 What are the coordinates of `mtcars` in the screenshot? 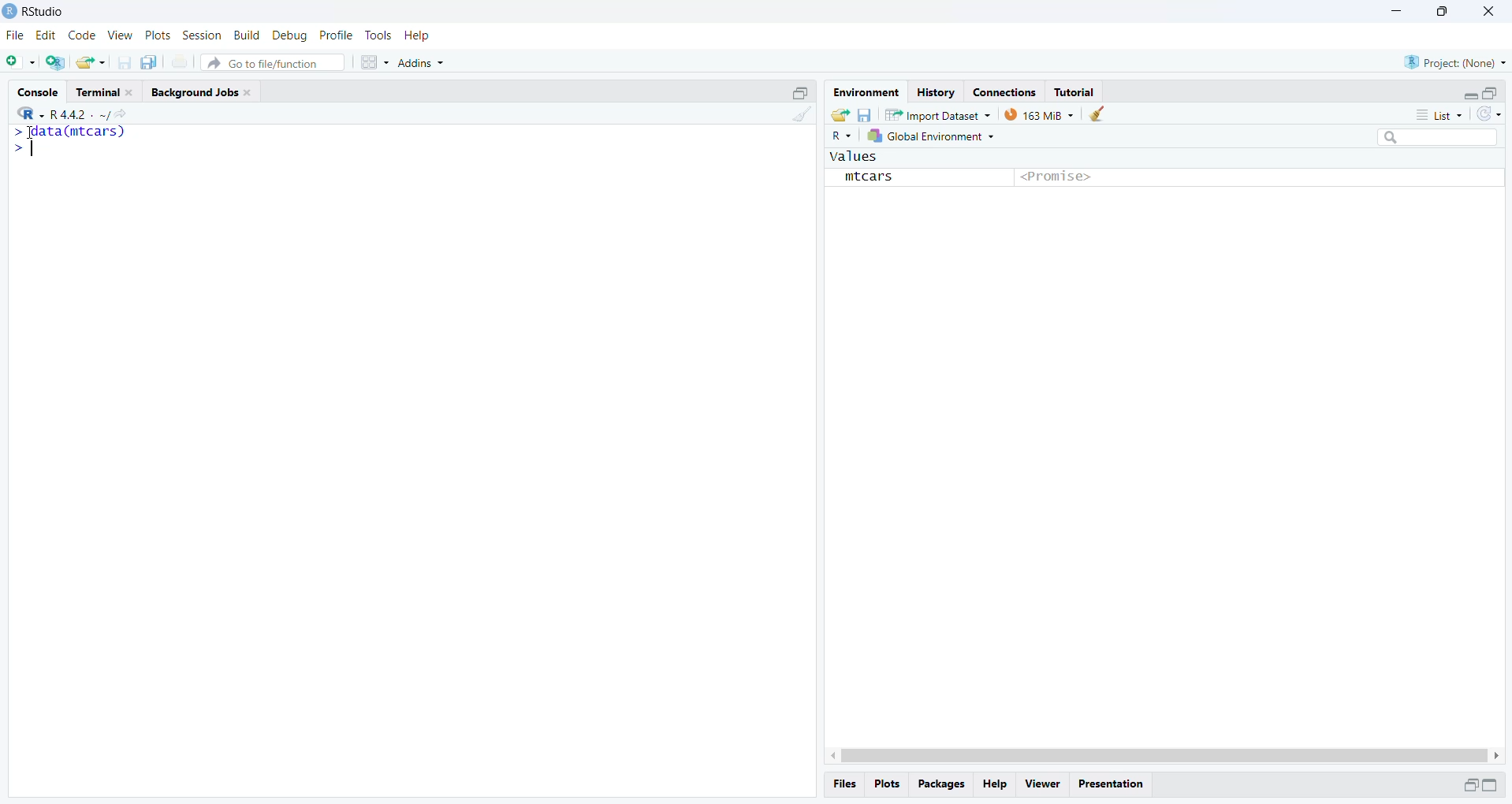 It's located at (869, 177).